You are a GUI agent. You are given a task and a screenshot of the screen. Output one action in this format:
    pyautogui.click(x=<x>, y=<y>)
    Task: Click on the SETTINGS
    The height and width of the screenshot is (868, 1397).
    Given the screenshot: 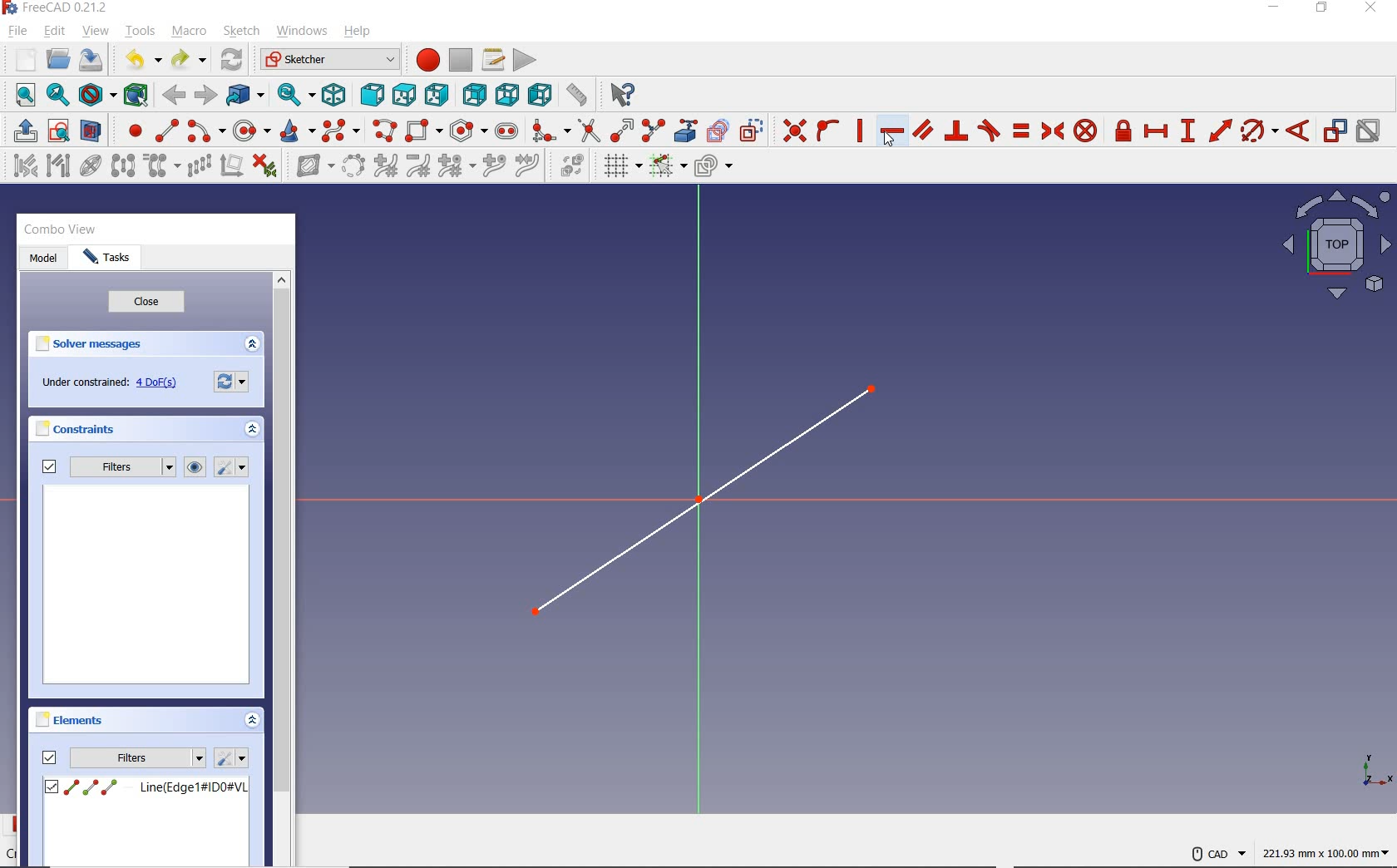 What is the action you would take?
    pyautogui.click(x=233, y=468)
    